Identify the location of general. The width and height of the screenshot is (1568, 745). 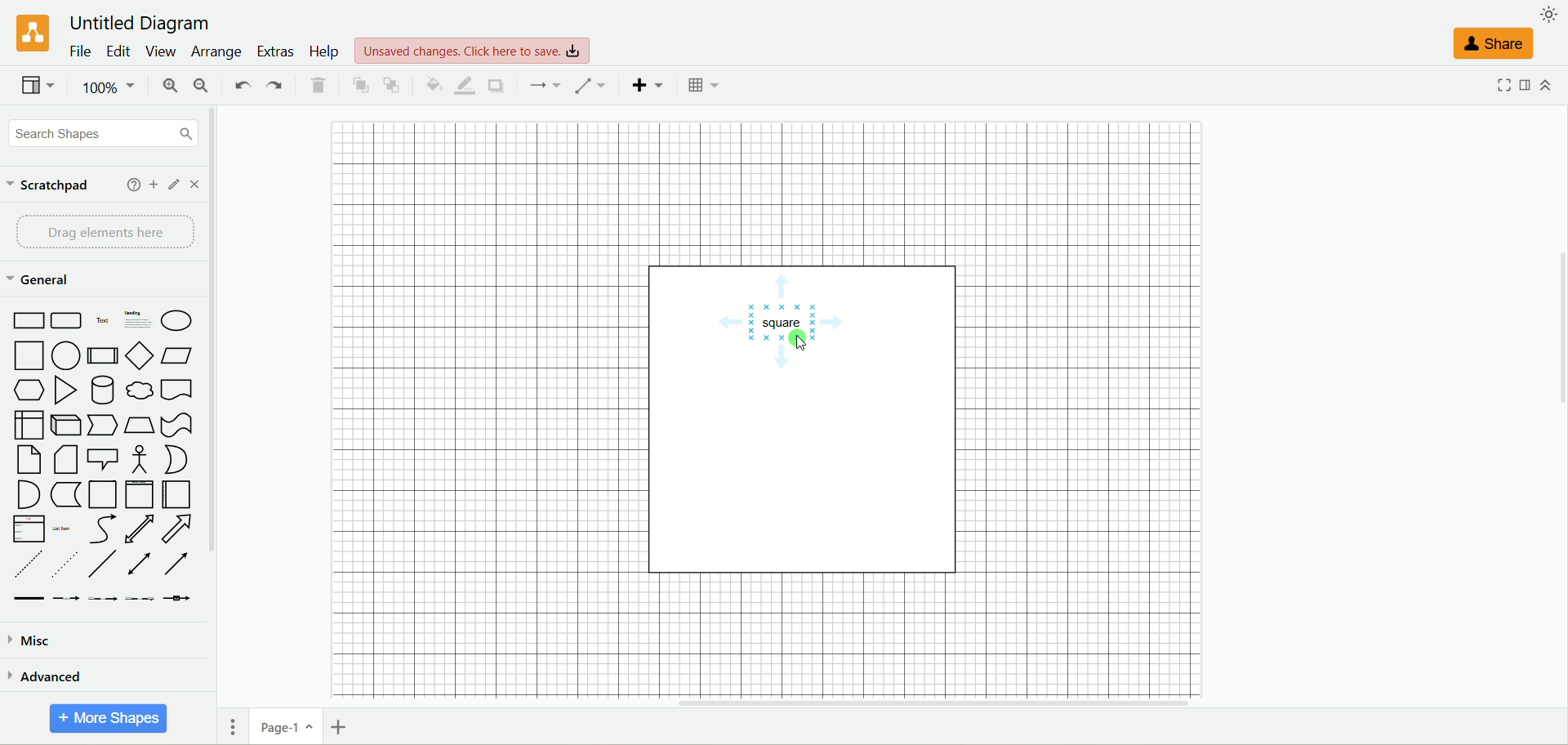
(45, 281).